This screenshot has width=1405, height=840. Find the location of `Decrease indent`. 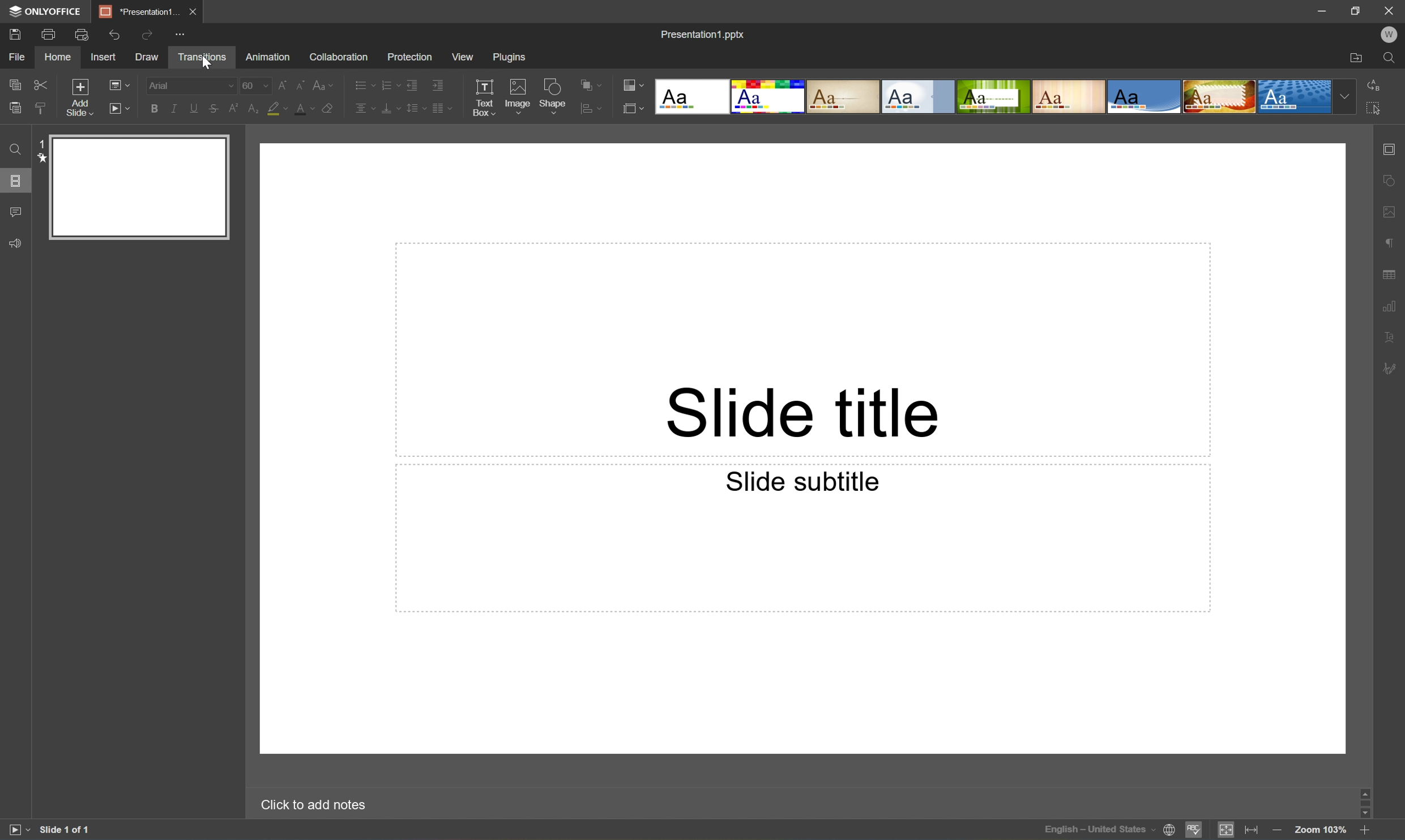

Decrease indent is located at coordinates (413, 84).